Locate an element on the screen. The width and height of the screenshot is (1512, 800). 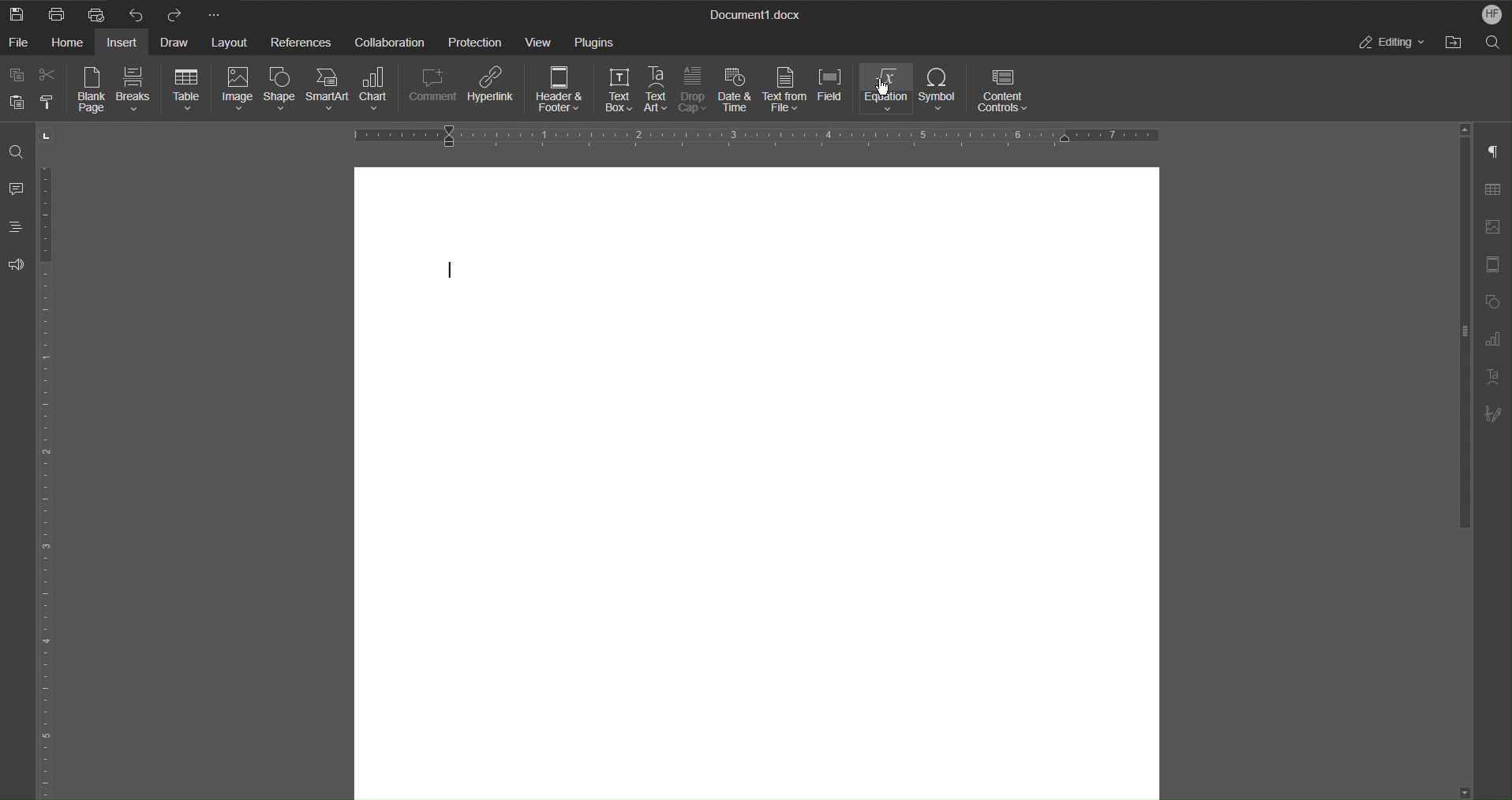
Text Box is located at coordinates (617, 90).